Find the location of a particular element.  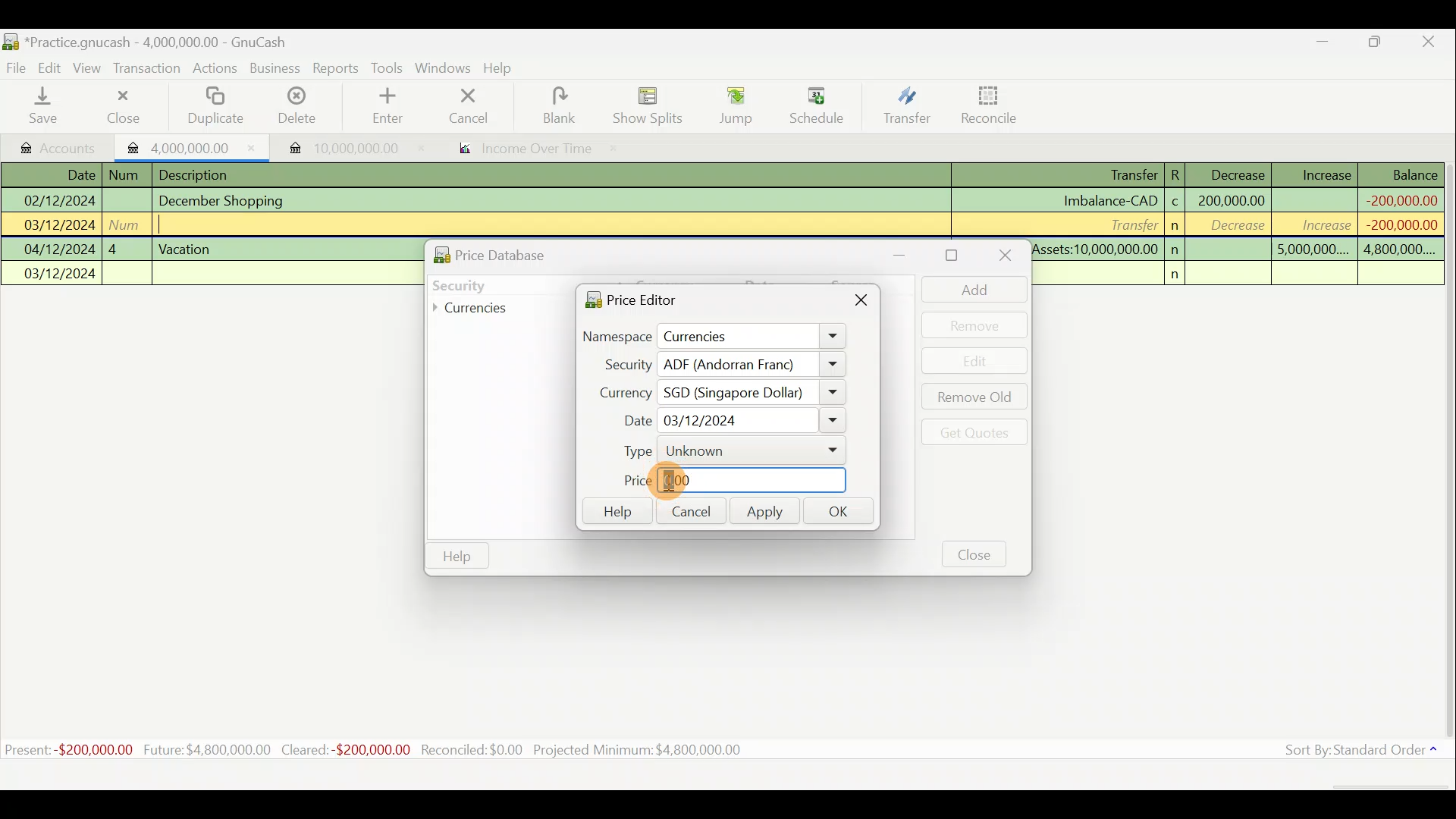

Transaction is located at coordinates (151, 70).